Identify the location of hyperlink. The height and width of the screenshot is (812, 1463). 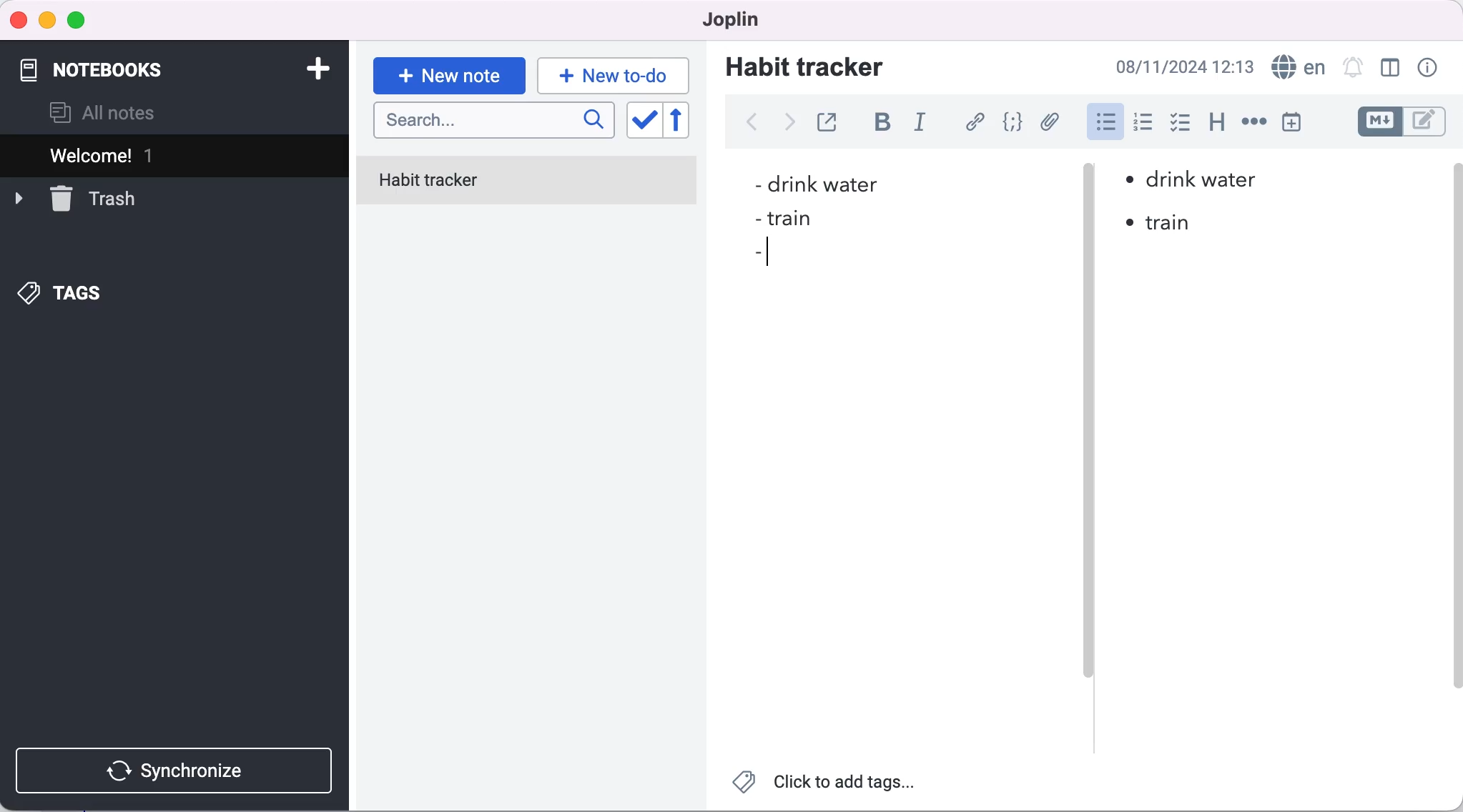
(977, 122).